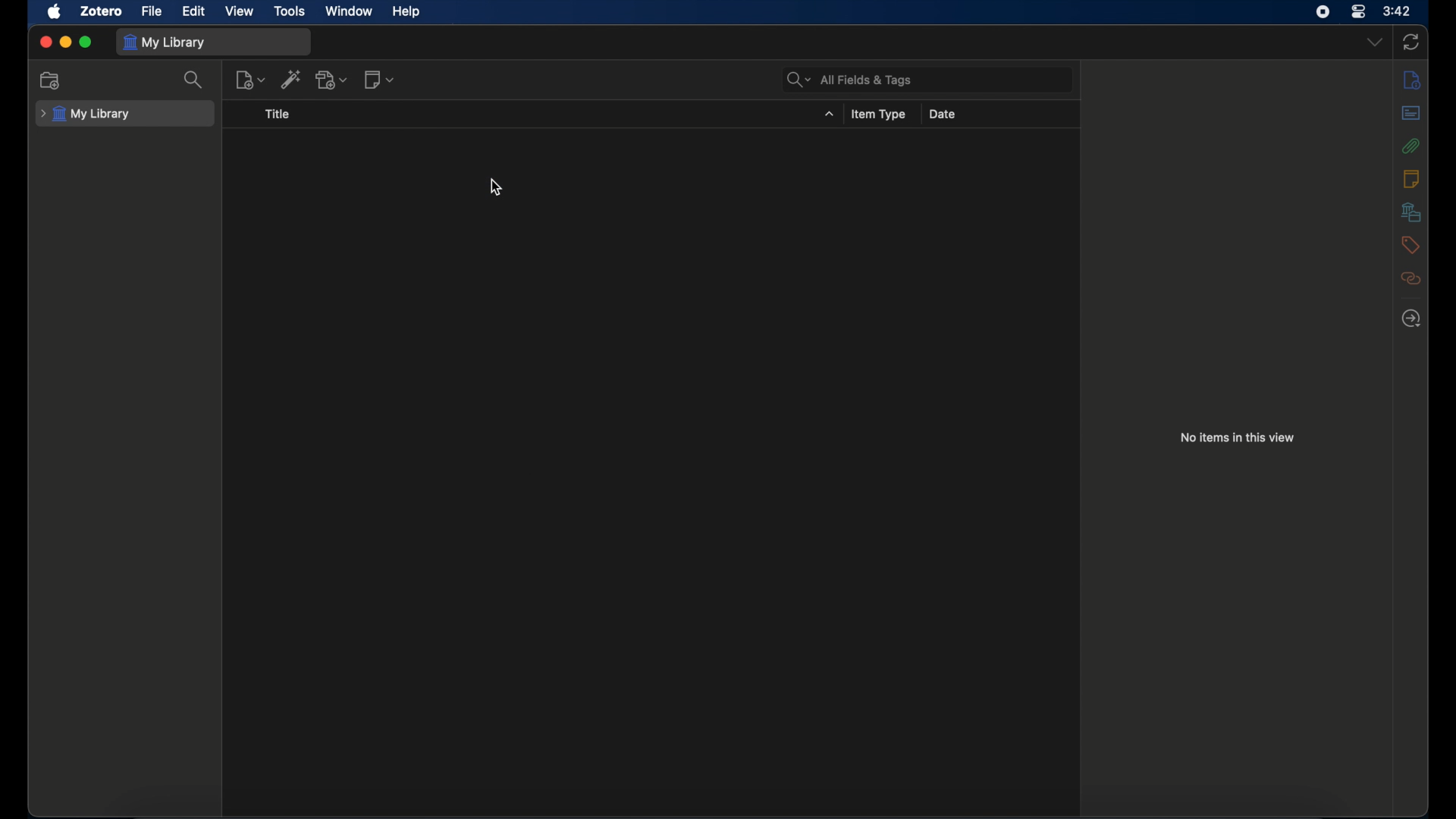 This screenshot has height=819, width=1456. I want to click on file, so click(152, 12).